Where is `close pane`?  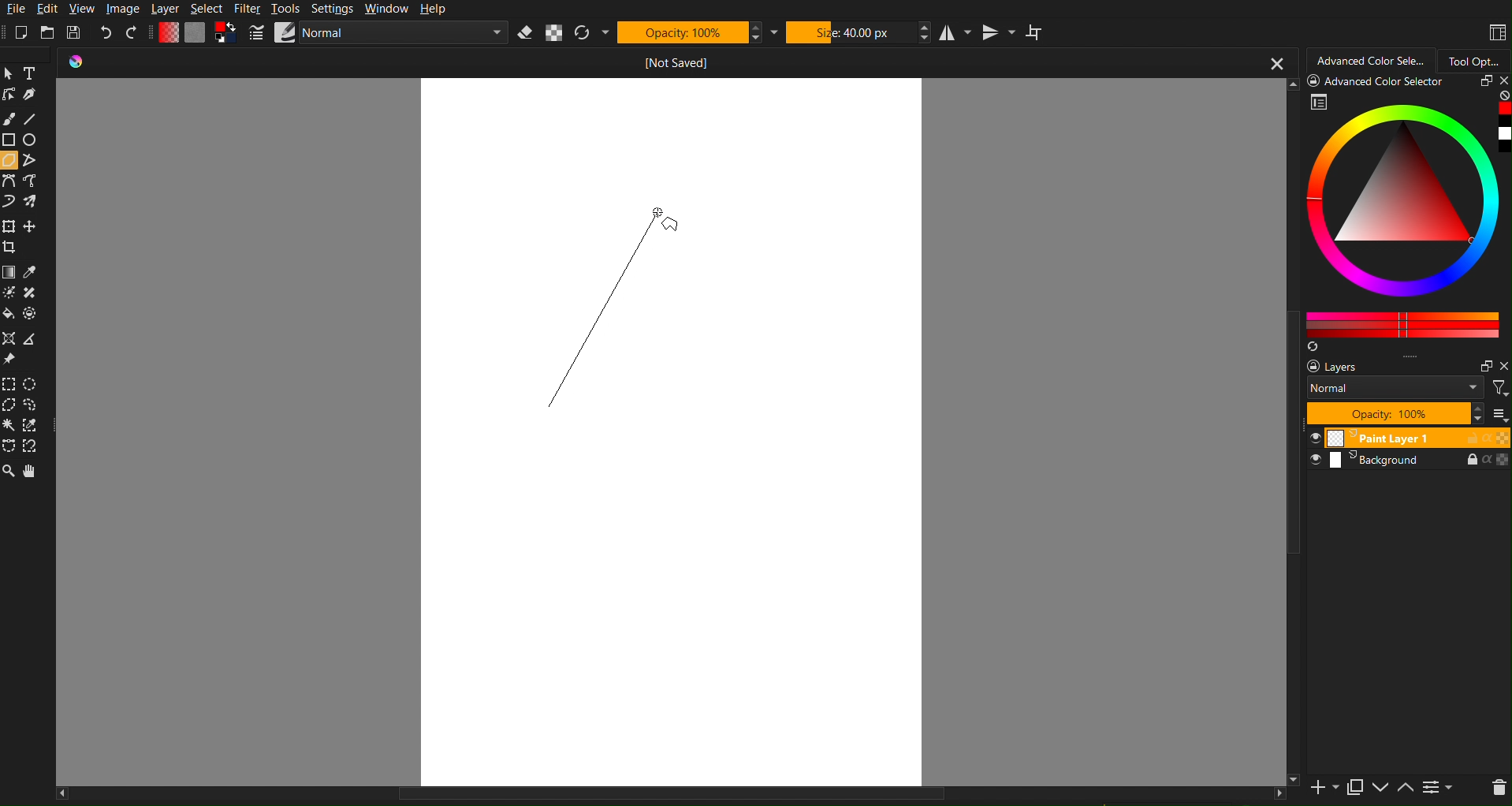 close pane is located at coordinates (1503, 366).